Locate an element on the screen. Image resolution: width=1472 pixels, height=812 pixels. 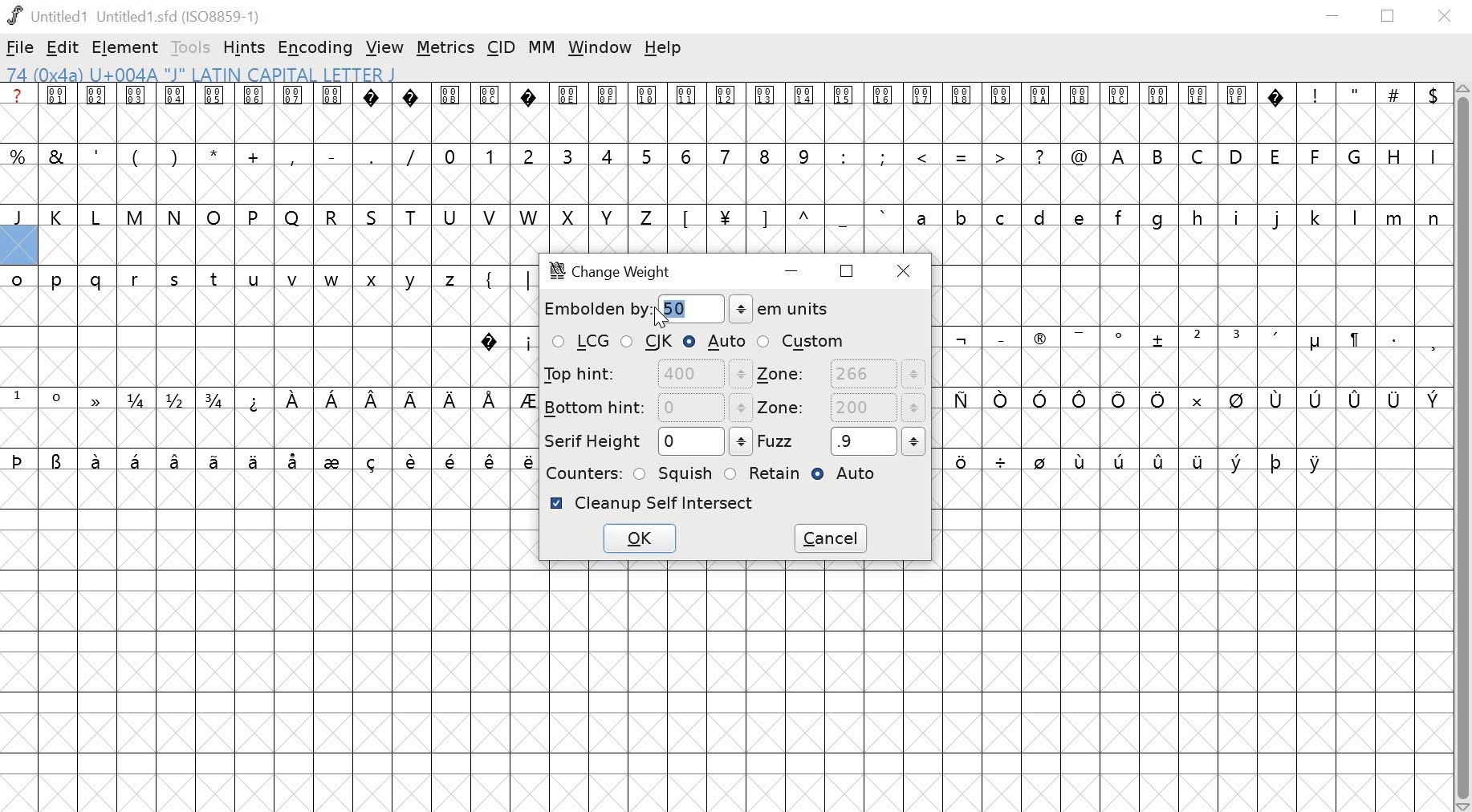
selected glyph slot is located at coordinates (18, 246).